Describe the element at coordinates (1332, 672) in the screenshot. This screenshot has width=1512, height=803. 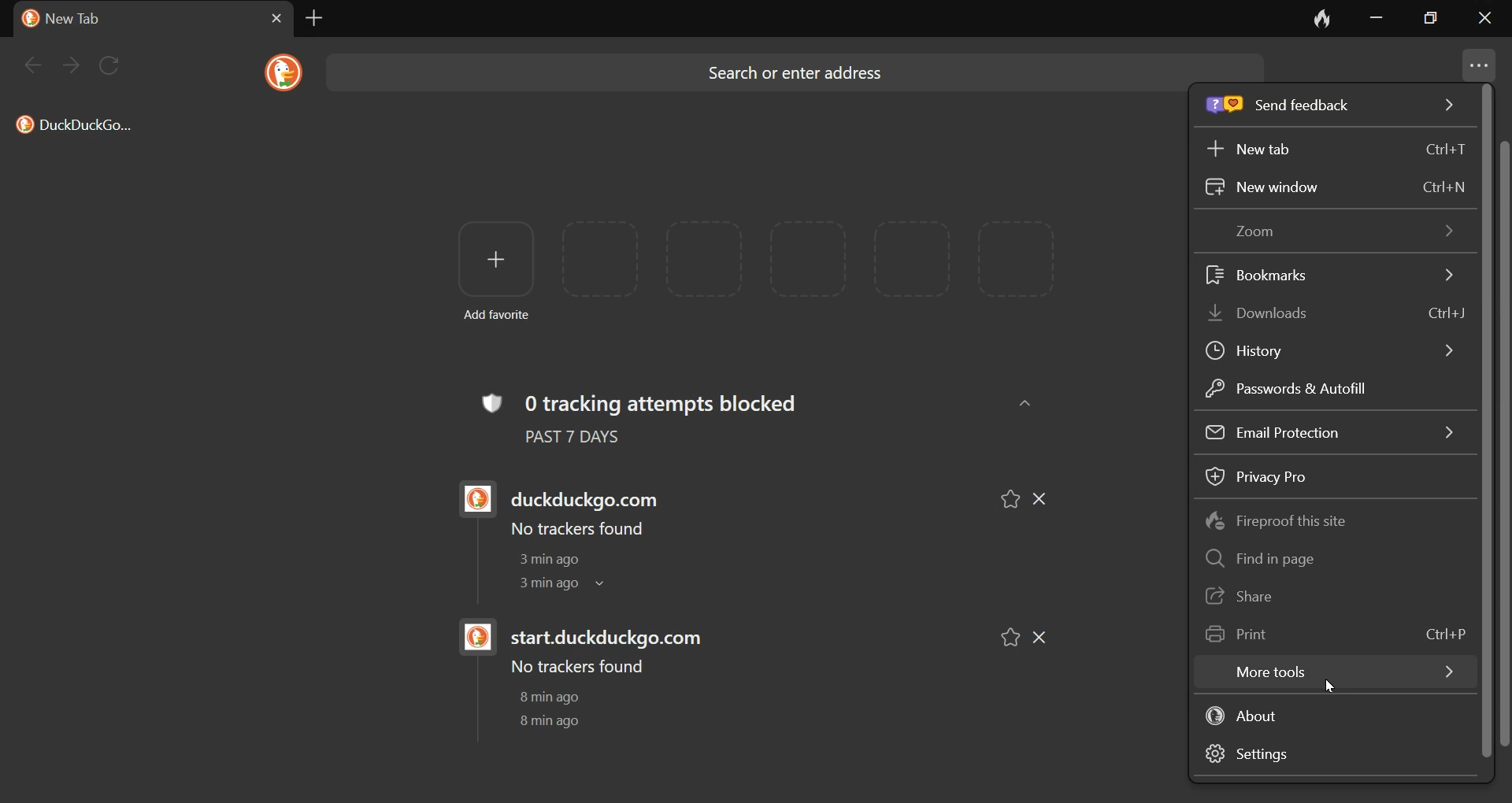
I see `more  tools` at that location.